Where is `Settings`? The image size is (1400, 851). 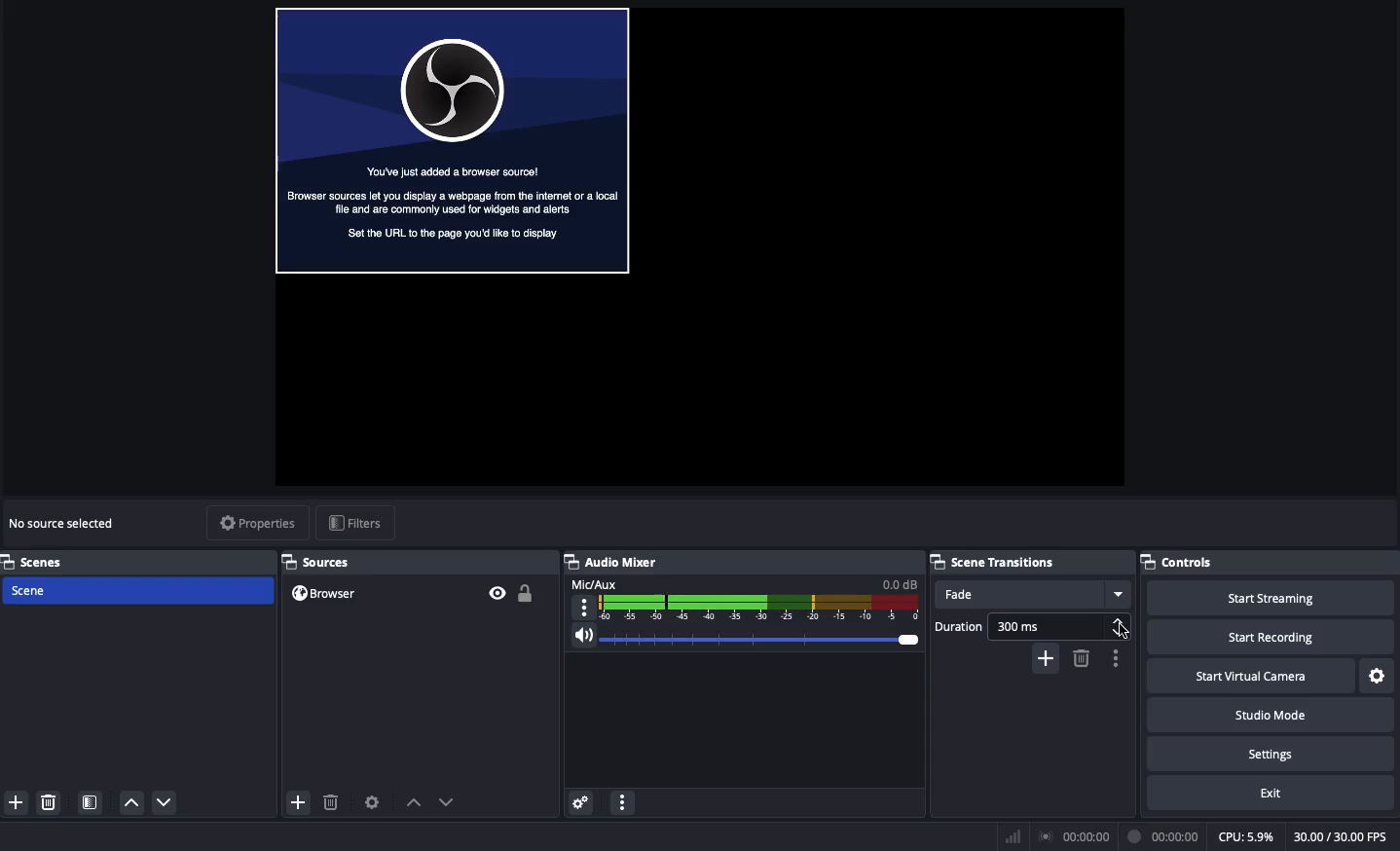
Settings is located at coordinates (1378, 676).